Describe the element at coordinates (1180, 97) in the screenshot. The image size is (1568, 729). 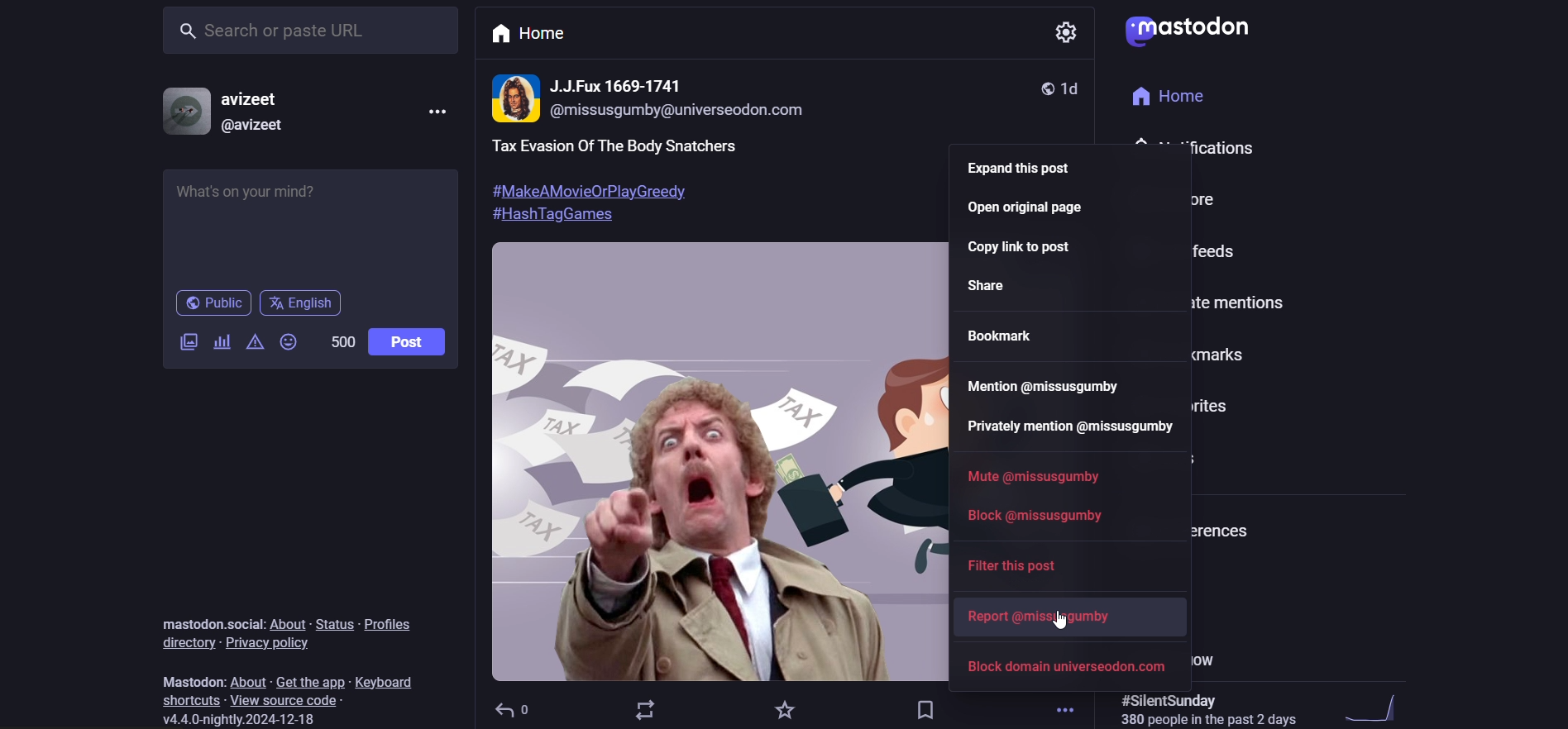
I see `home` at that location.